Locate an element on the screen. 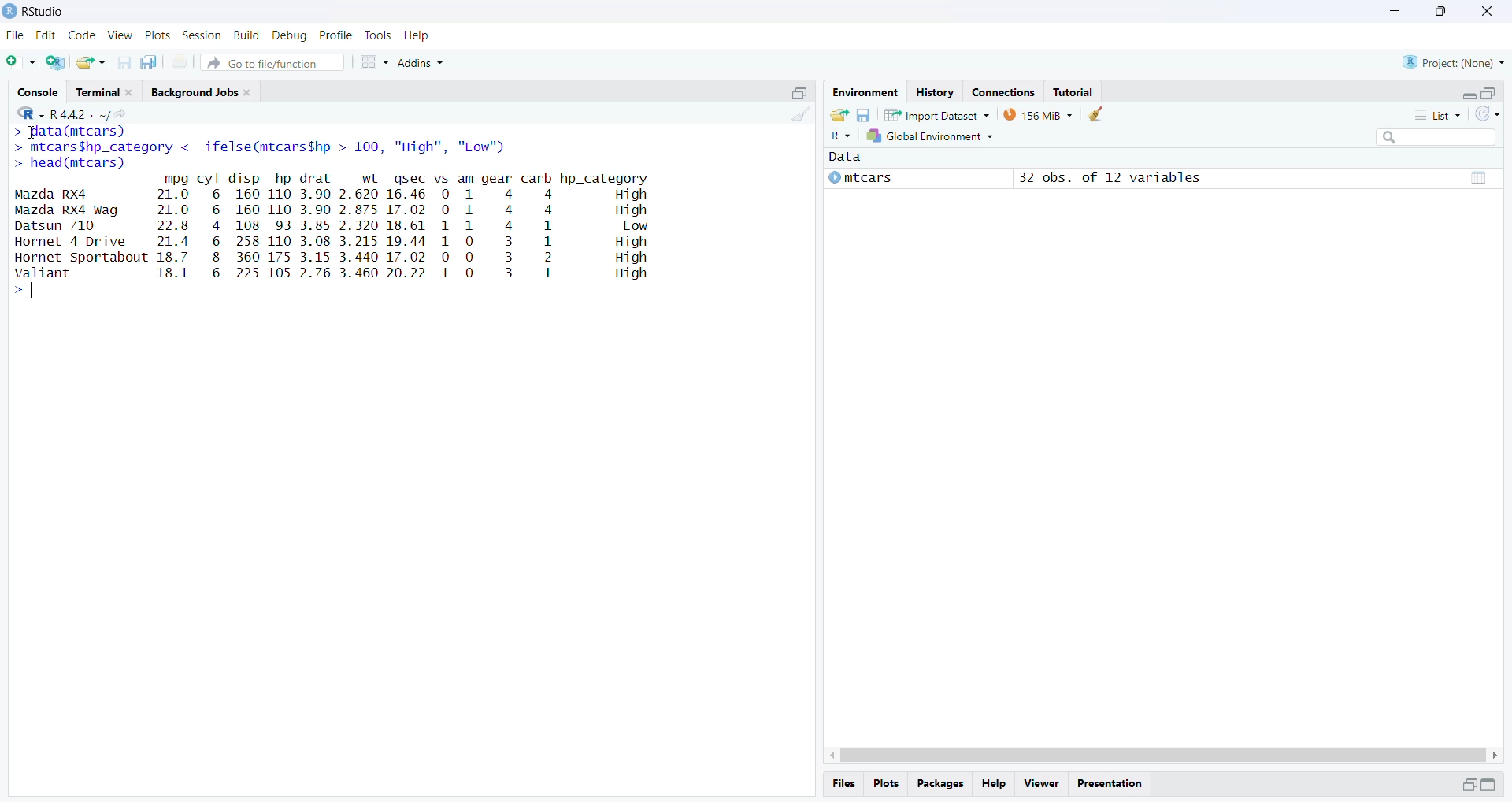 This screenshot has width=1512, height=802. Go to file/function is located at coordinates (274, 61).